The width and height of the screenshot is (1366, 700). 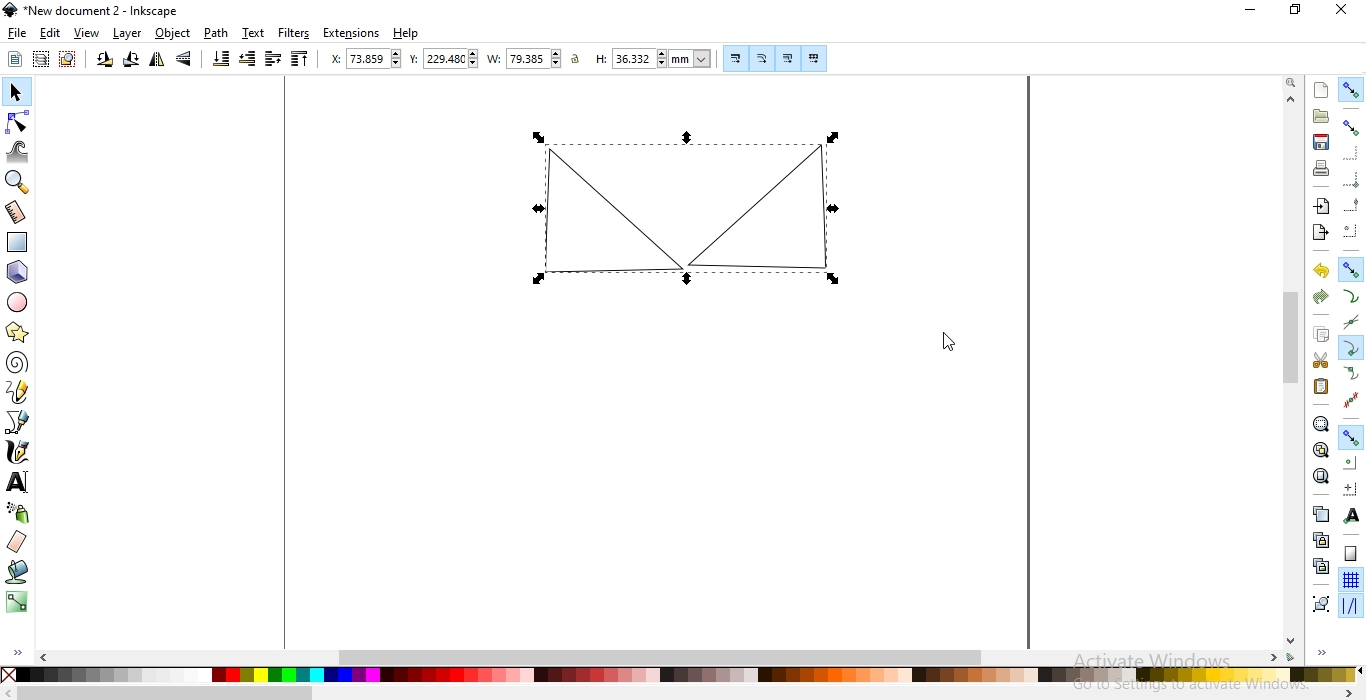 What do you see at coordinates (42, 58) in the screenshot?
I see `select all objects in all visible and unlocked layers` at bounding box center [42, 58].